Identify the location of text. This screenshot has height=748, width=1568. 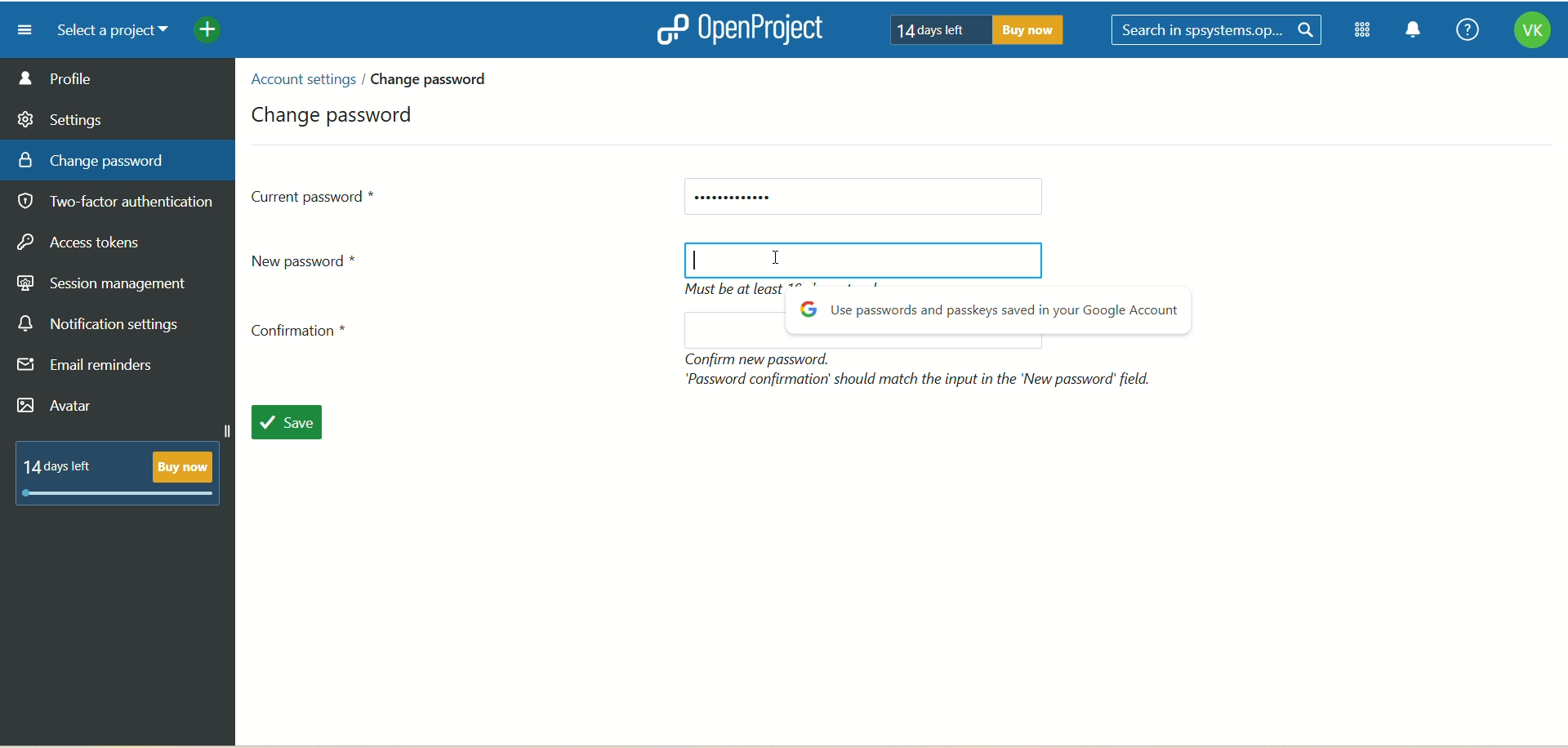
(922, 369).